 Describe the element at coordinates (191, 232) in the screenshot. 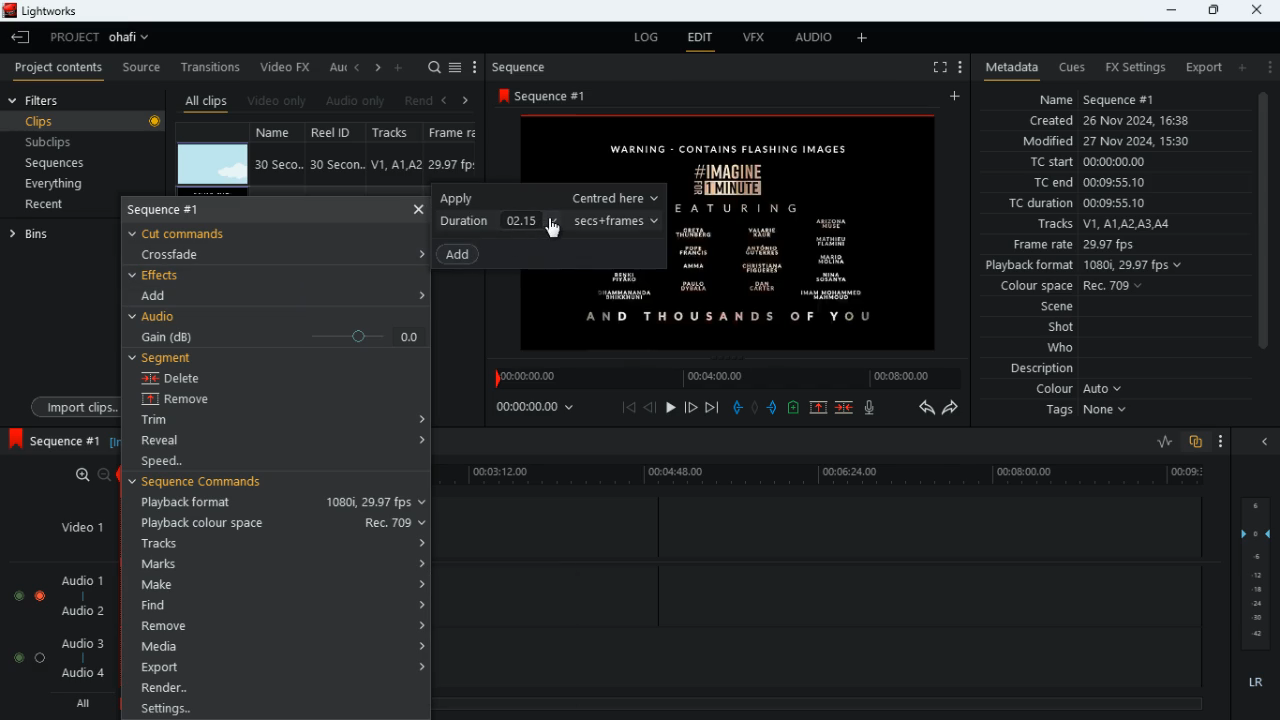

I see `cut commands` at that location.